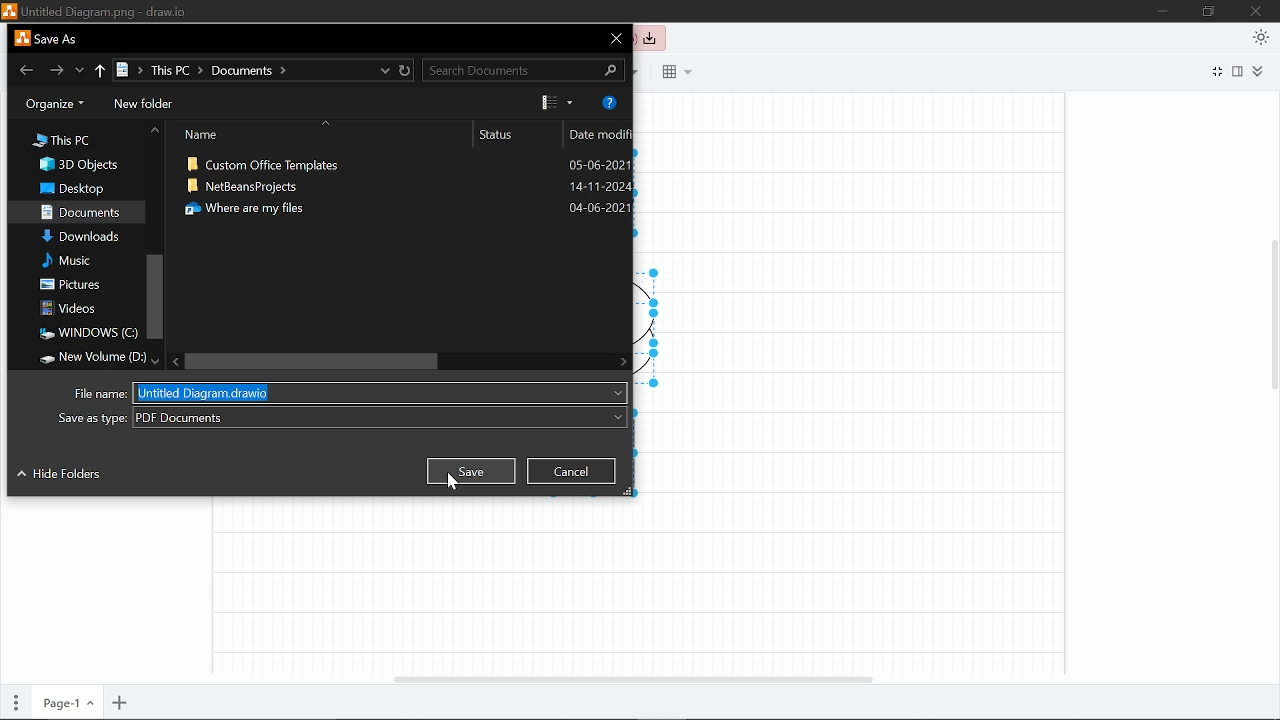 This screenshot has width=1280, height=720. I want to click on Videos, so click(73, 308).